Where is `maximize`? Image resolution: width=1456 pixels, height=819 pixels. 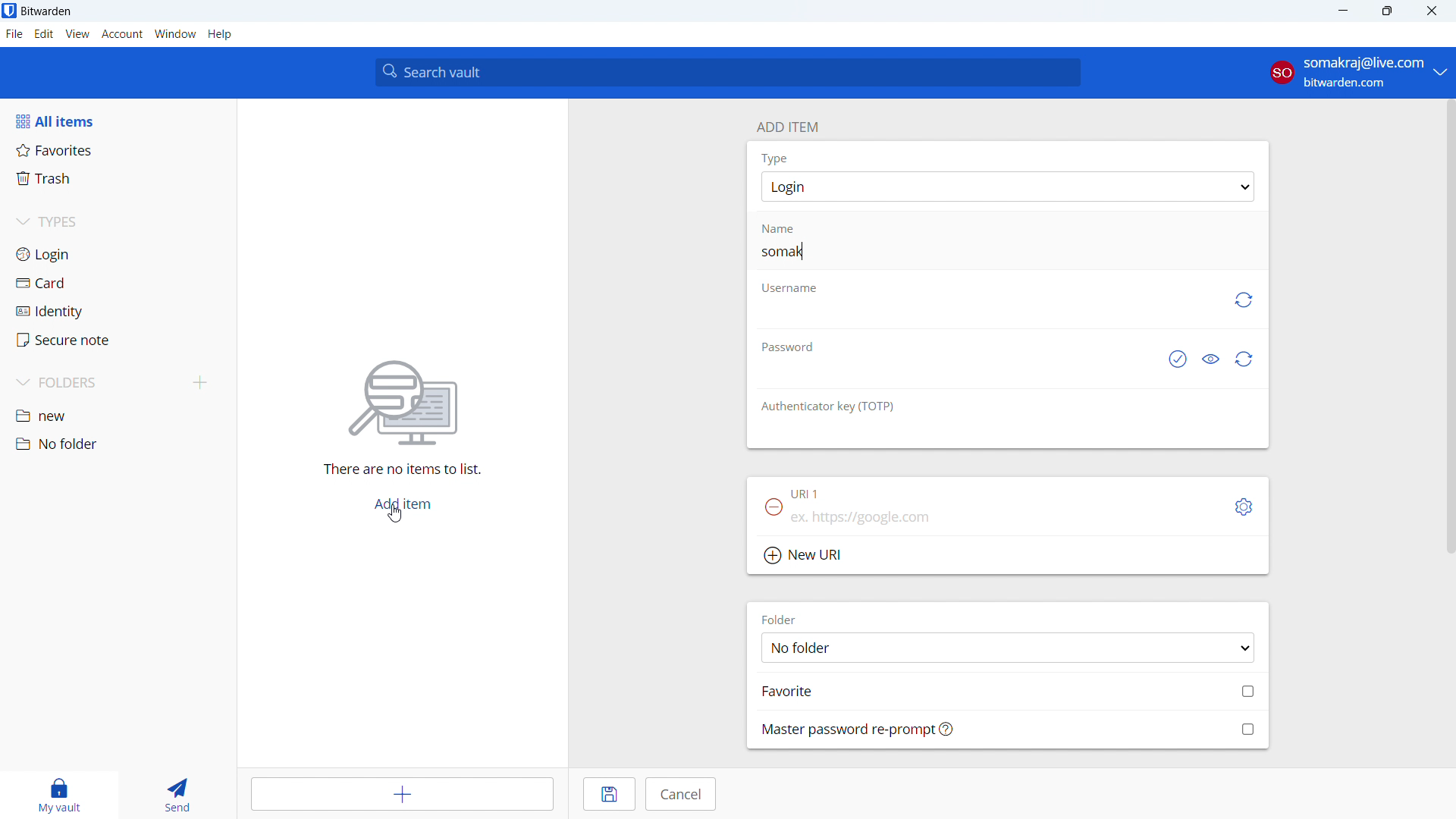
maximize is located at coordinates (1386, 11).